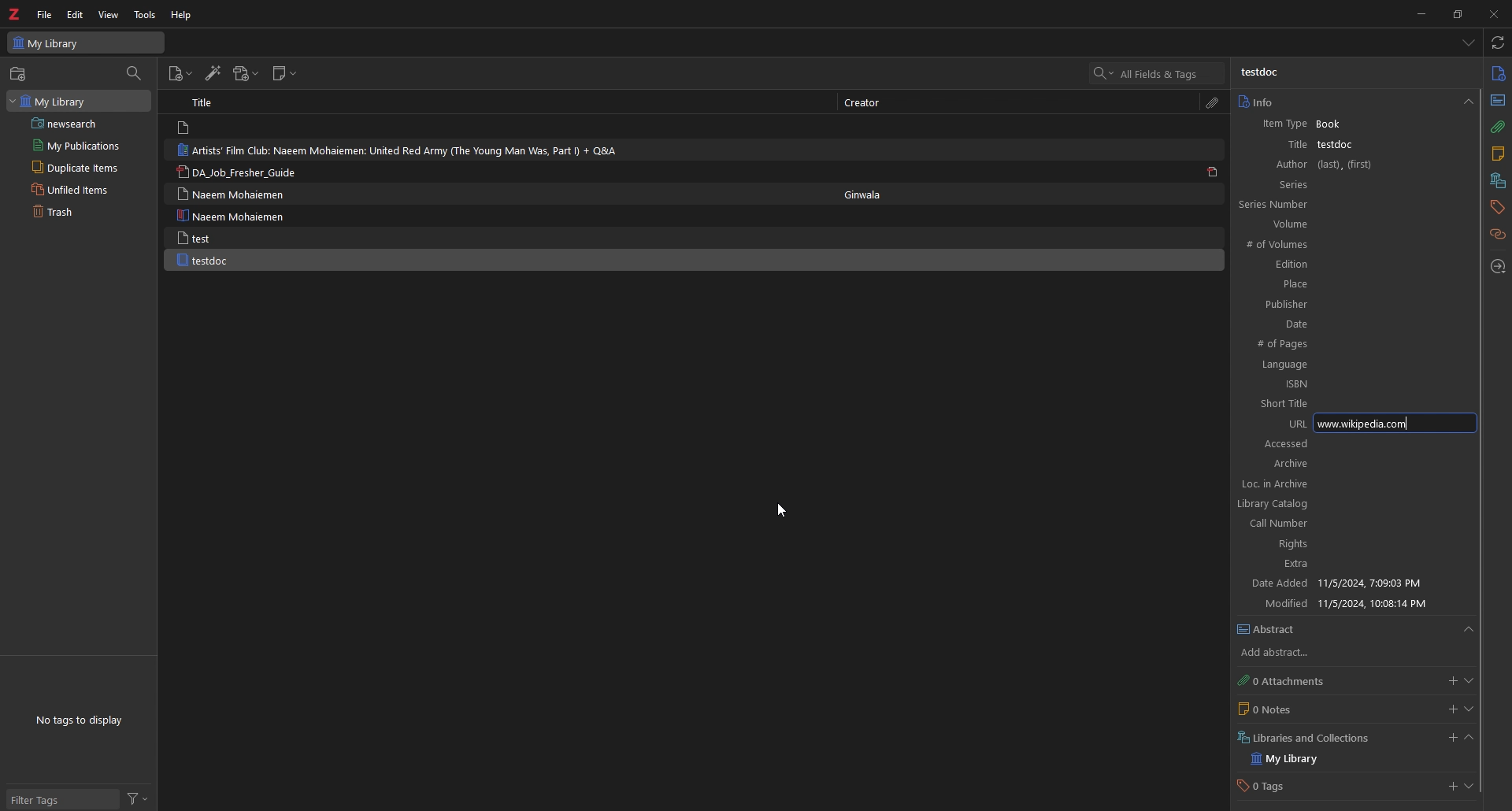 The image size is (1512, 811). What do you see at coordinates (1325, 184) in the screenshot?
I see `Series` at bounding box center [1325, 184].